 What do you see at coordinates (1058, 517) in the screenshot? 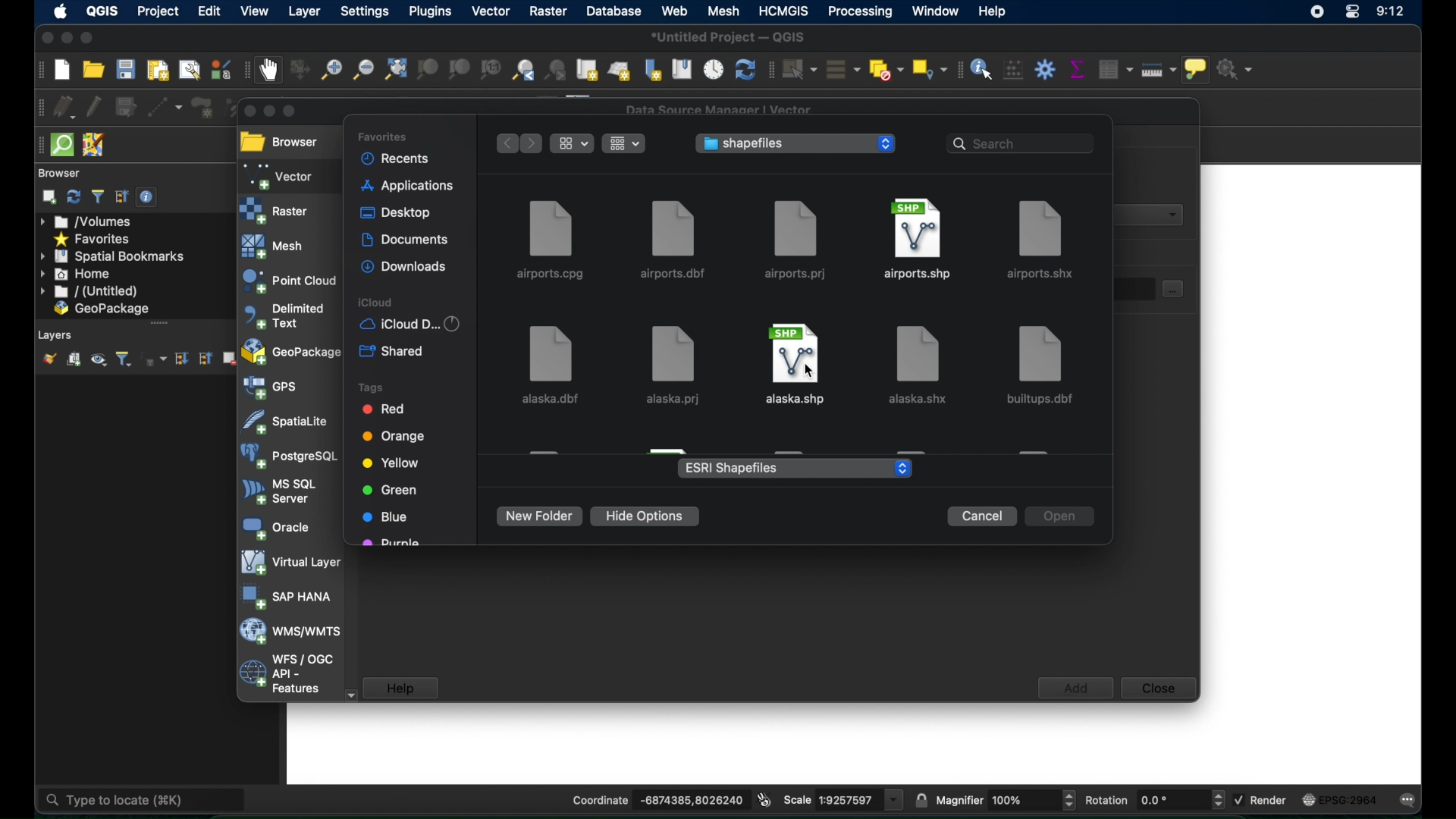
I see `open` at bounding box center [1058, 517].